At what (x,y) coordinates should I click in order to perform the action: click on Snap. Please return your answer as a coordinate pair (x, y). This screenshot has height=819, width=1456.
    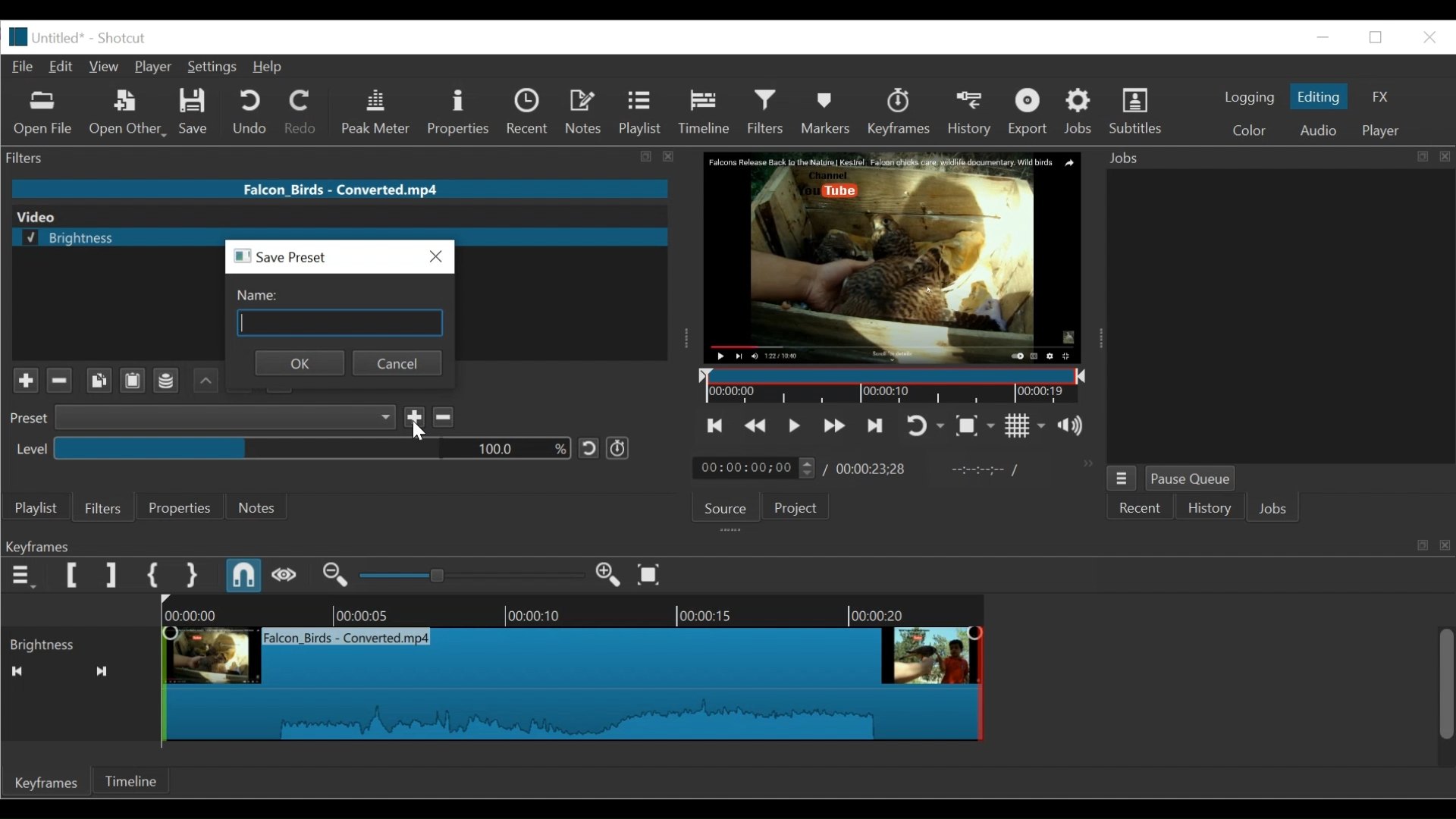
    Looking at the image, I should click on (245, 576).